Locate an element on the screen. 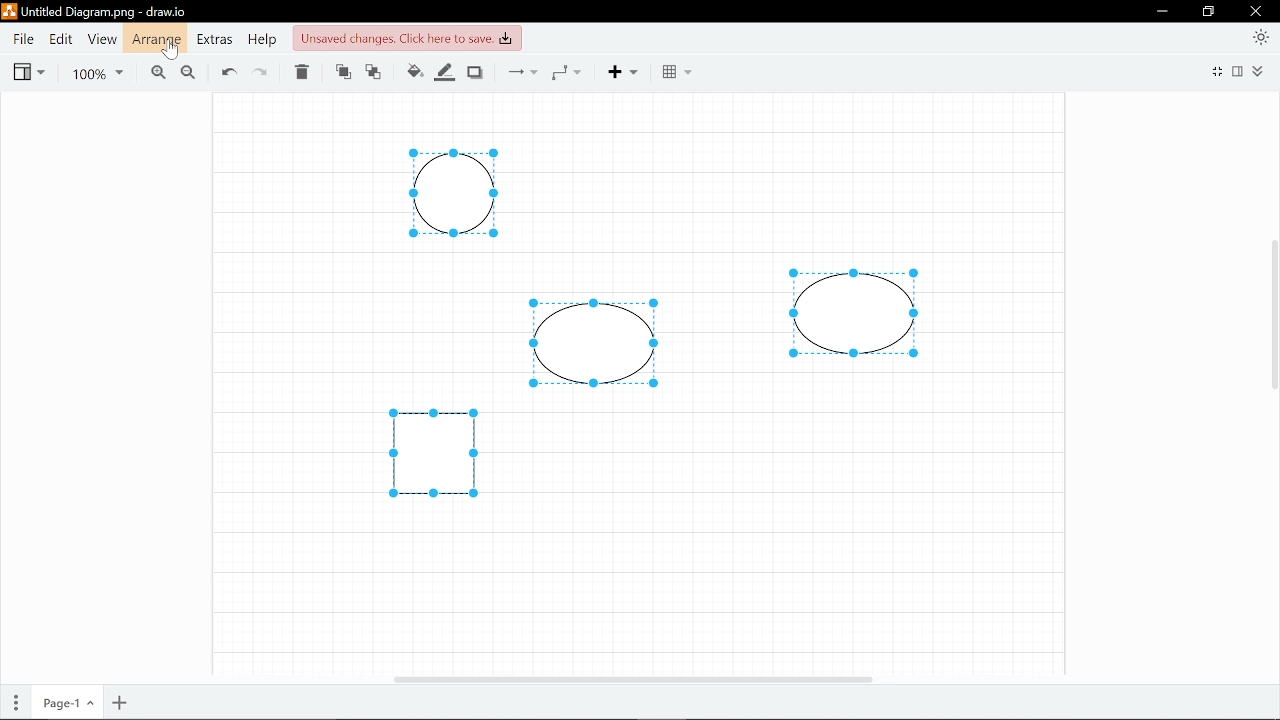  Currently opened file in draw.io is located at coordinates (98, 13).